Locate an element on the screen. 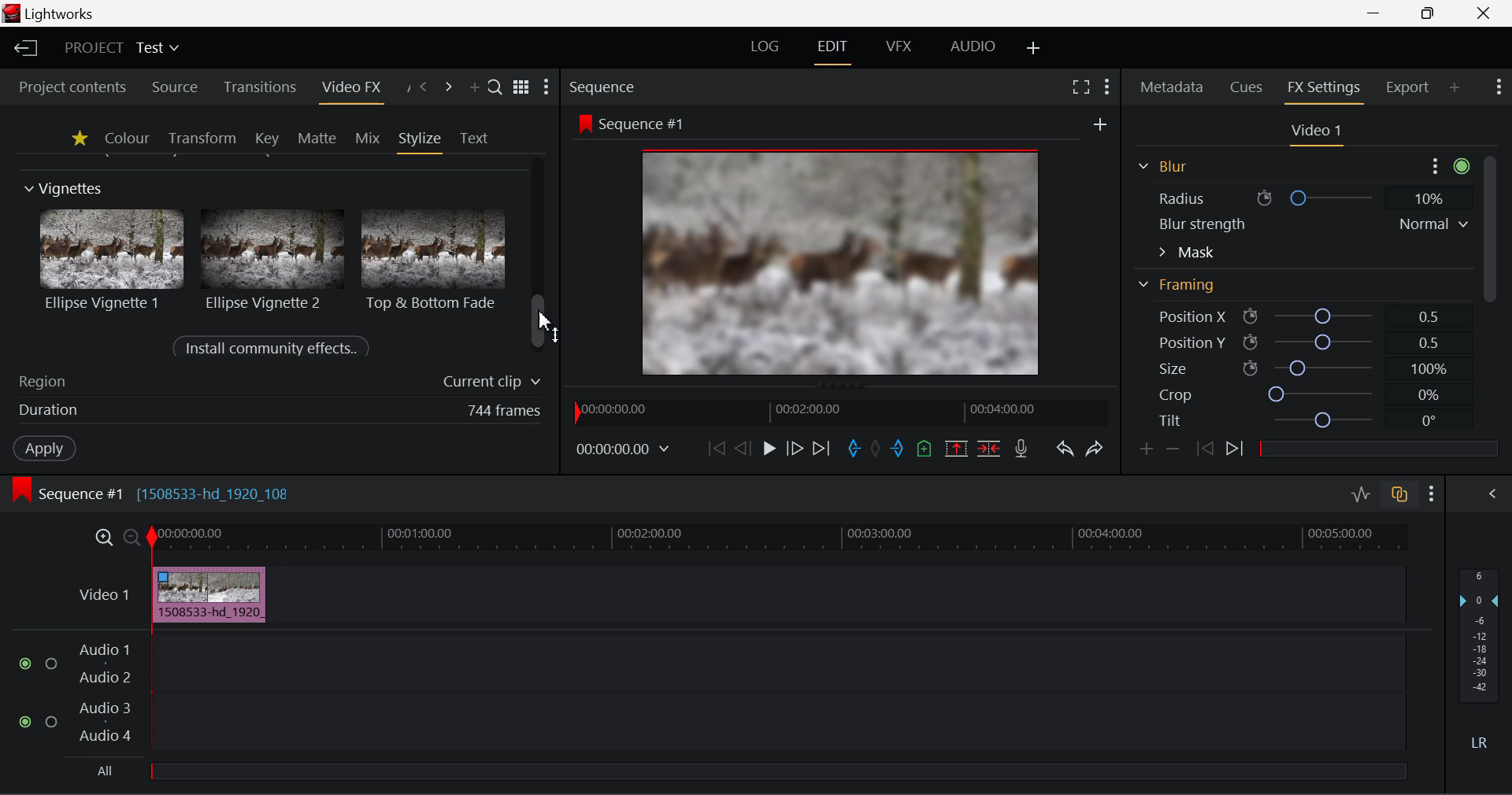 The image size is (1512, 795). Show Settings is located at coordinates (1432, 491).